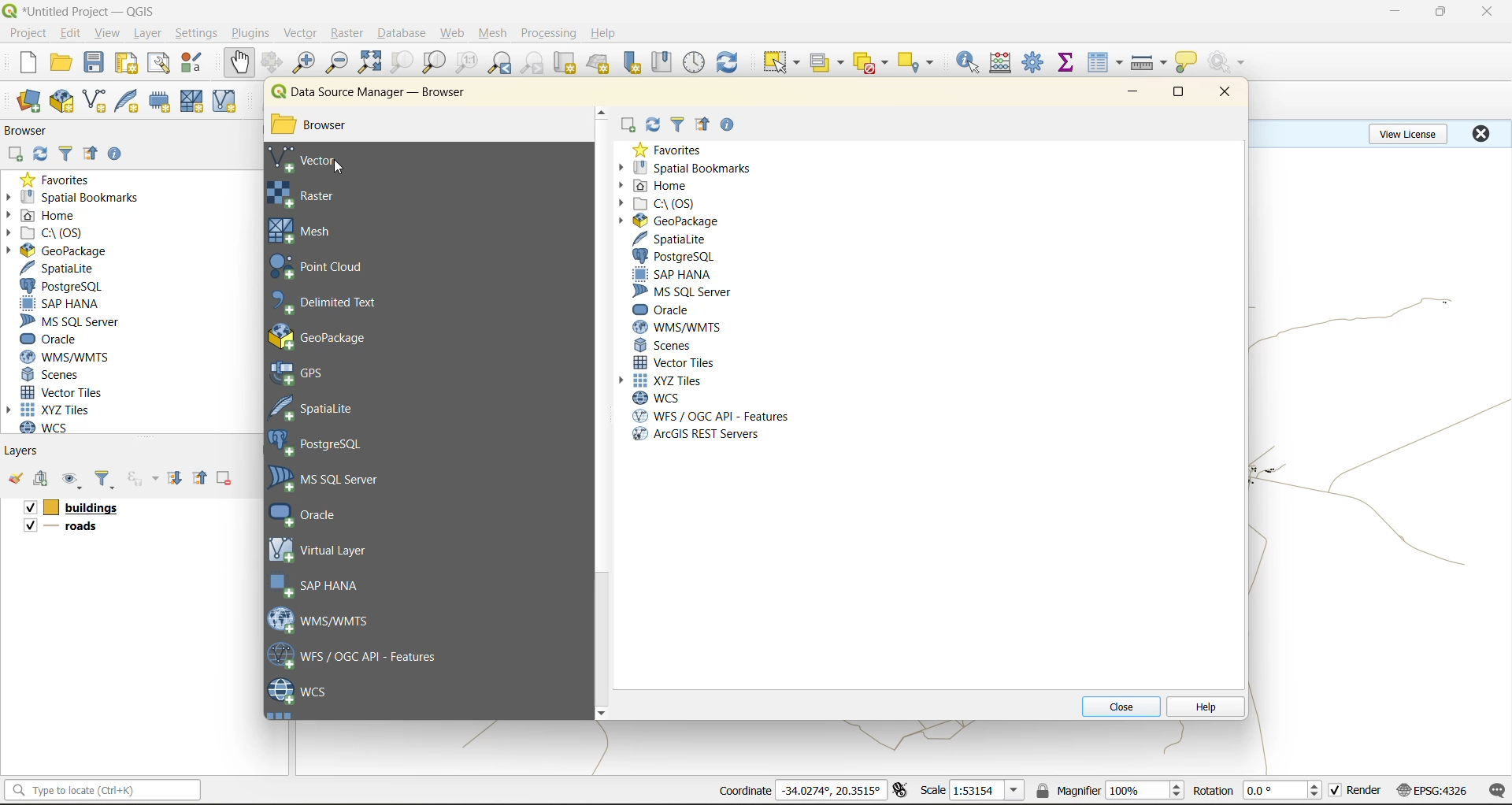 This screenshot has width=1512, height=805. I want to click on processing, so click(549, 34).